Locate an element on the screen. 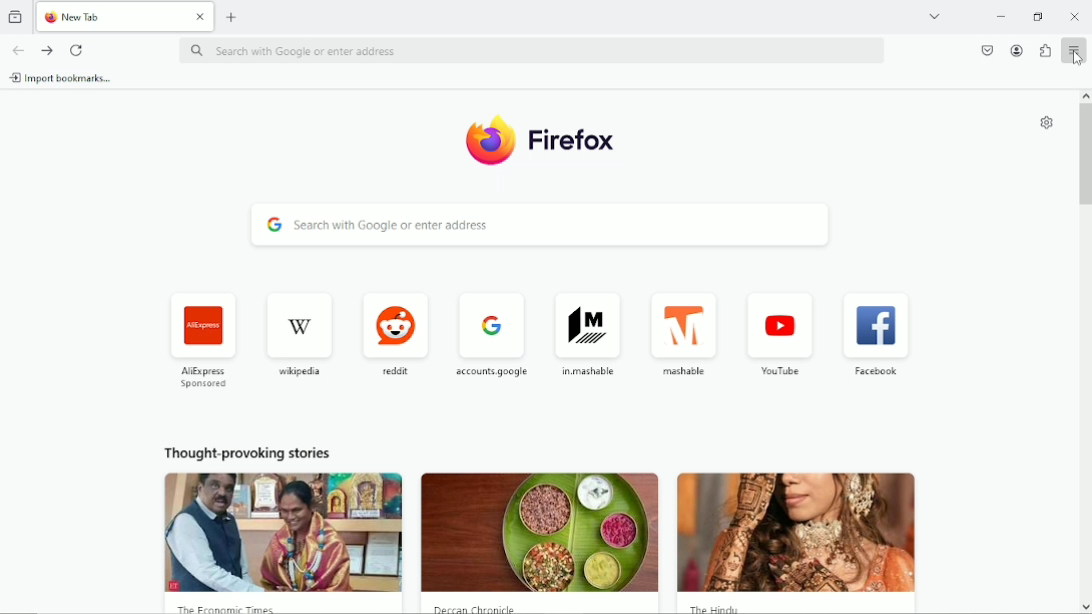 Image resolution: width=1092 pixels, height=614 pixels. scroll up is located at coordinates (1084, 94).